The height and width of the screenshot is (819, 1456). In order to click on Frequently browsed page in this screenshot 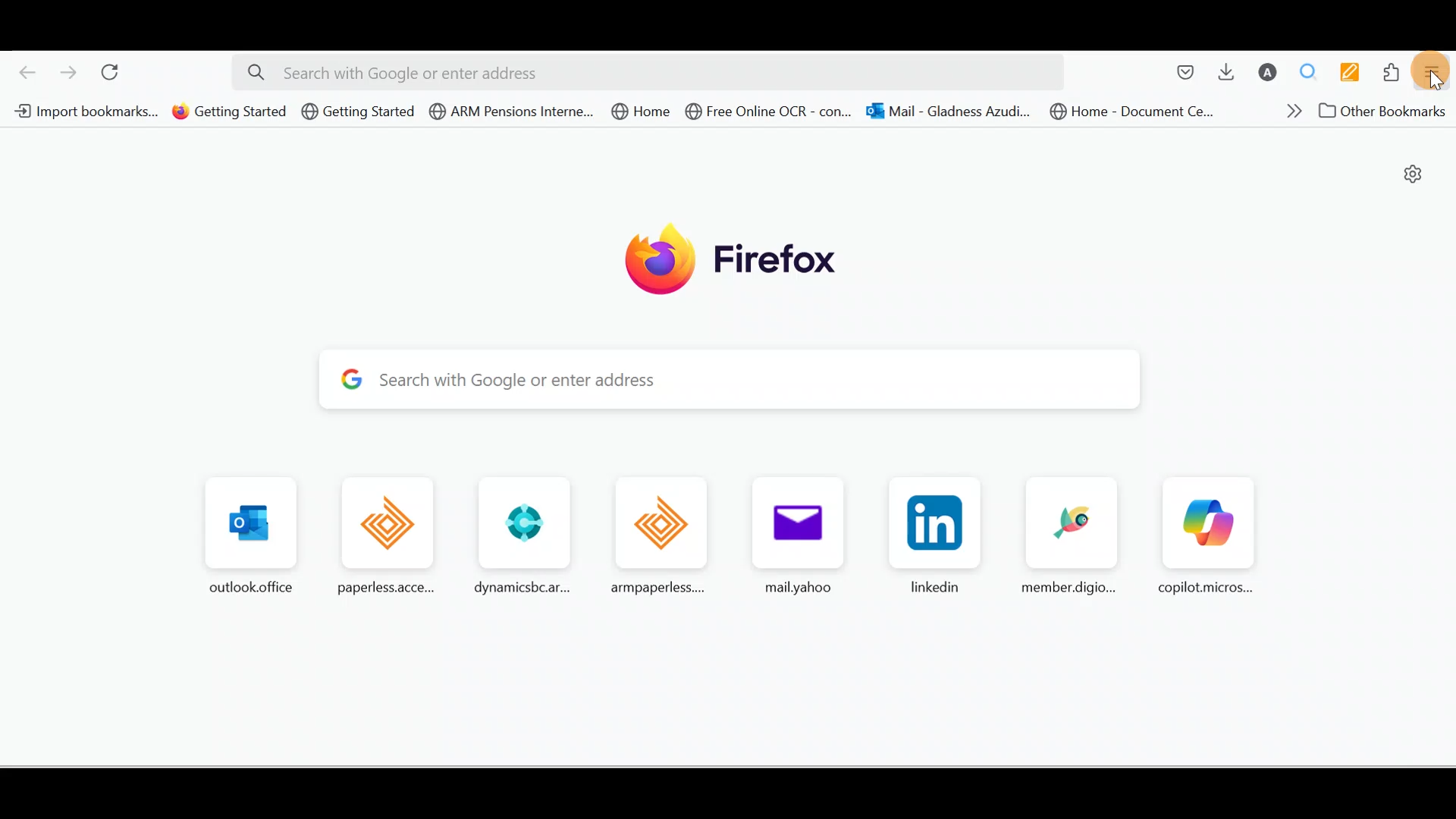, I will do `click(391, 533)`.